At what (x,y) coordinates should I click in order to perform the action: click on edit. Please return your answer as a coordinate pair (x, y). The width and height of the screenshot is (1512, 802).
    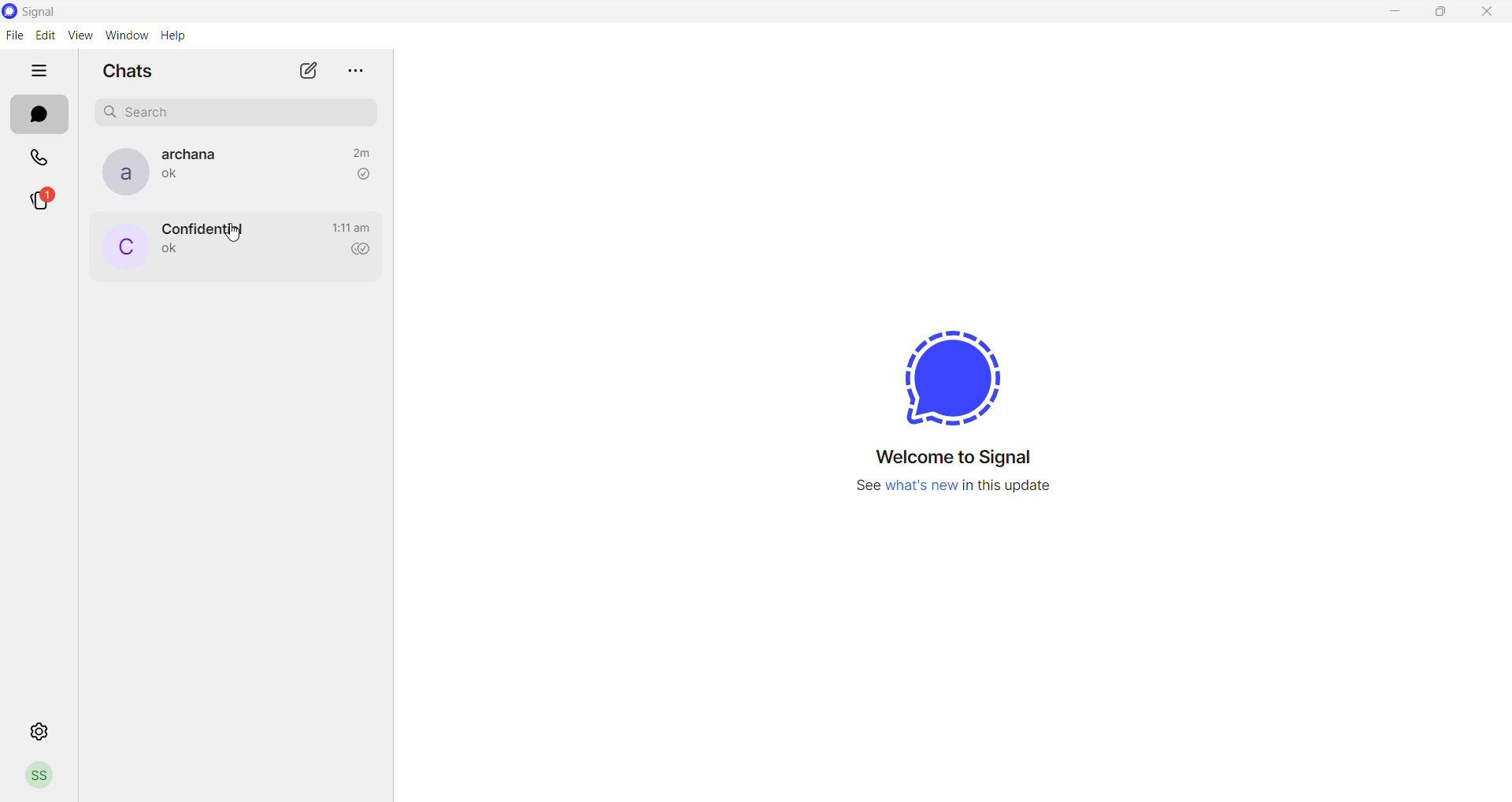
    Looking at the image, I should click on (46, 35).